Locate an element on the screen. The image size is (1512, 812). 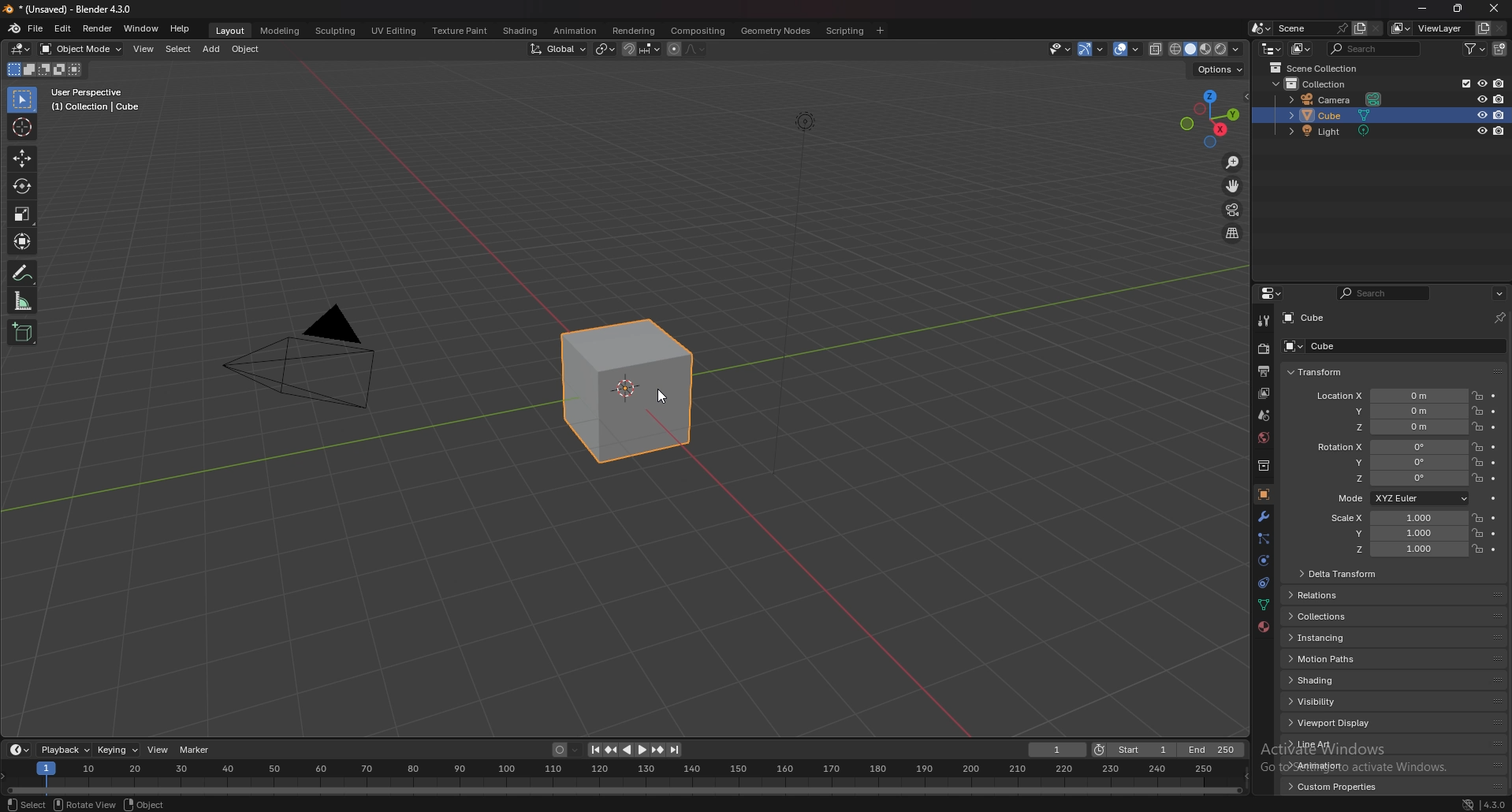
add view layer is located at coordinates (1484, 28).